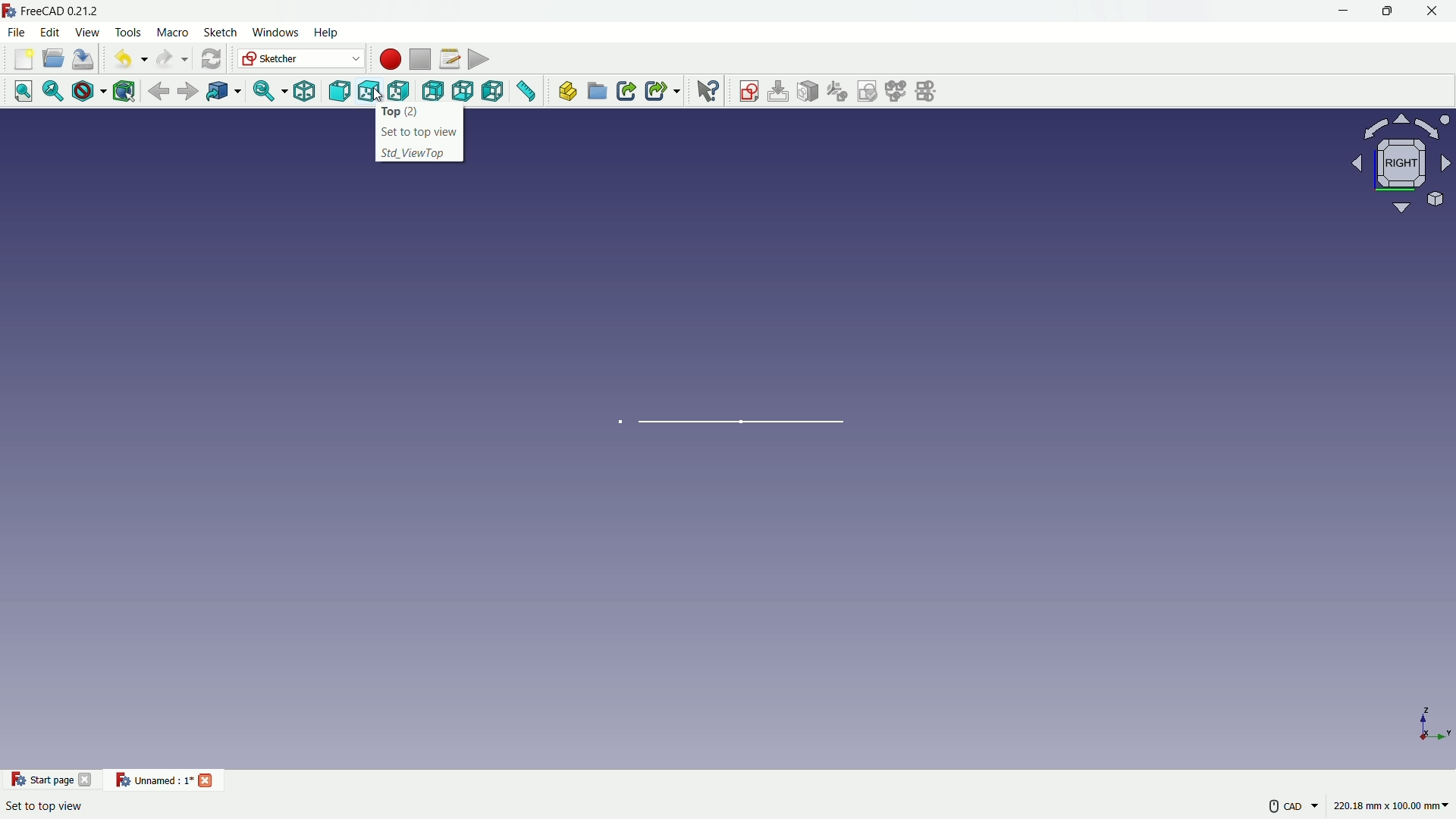  I want to click on edit menu, so click(51, 33).